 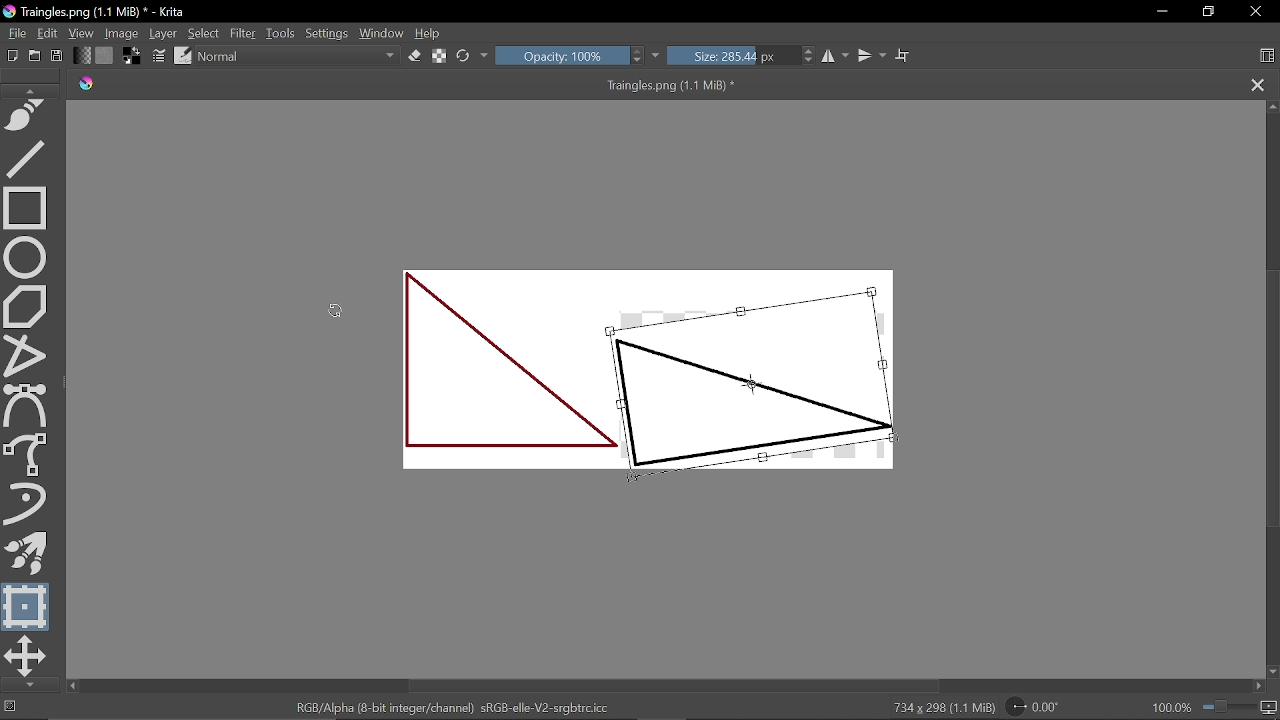 What do you see at coordinates (743, 57) in the screenshot?
I see `Size: 285.44 px` at bounding box center [743, 57].